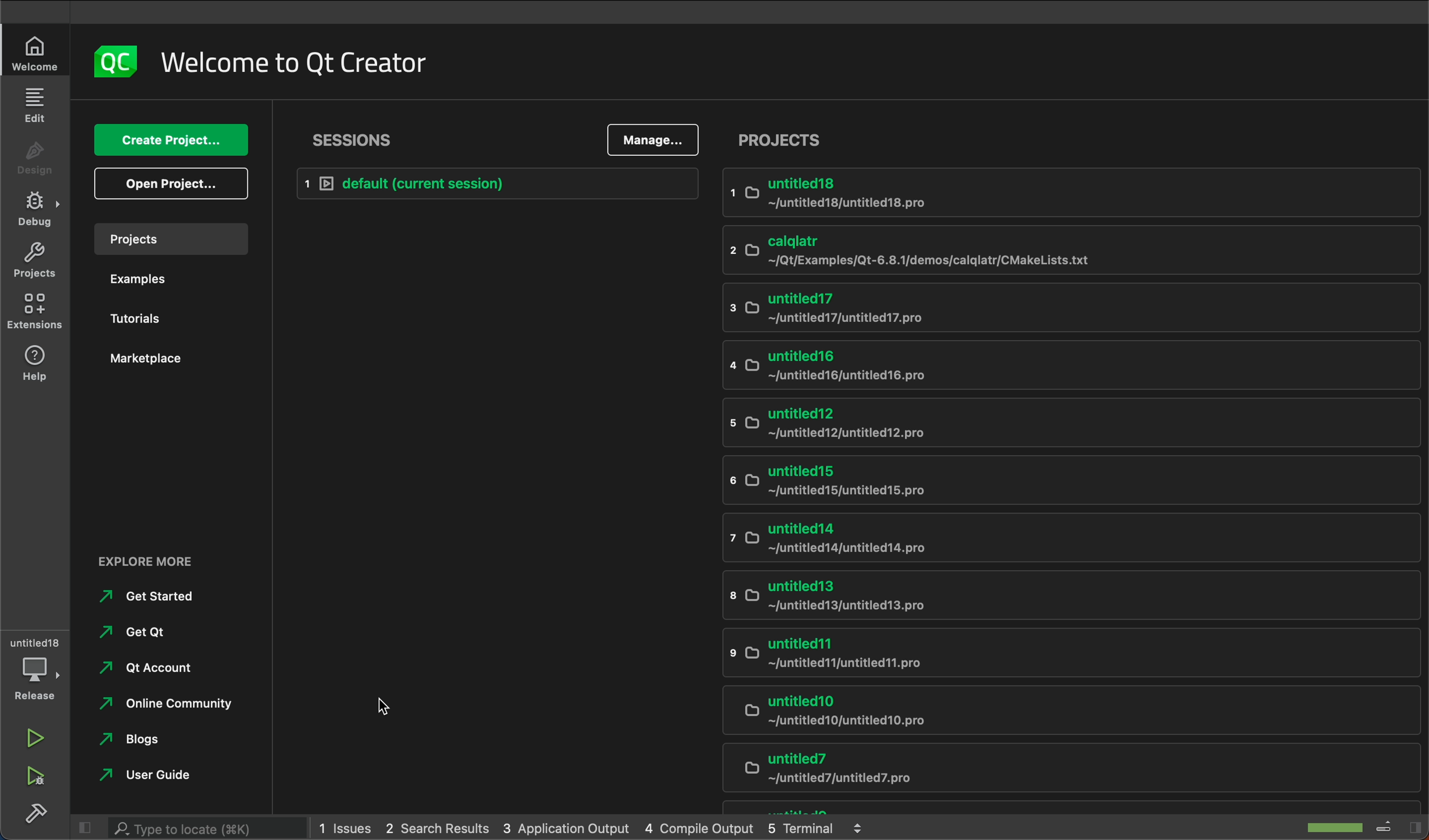  What do you see at coordinates (35, 812) in the screenshot?
I see `build` at bounding box center [35, 812].